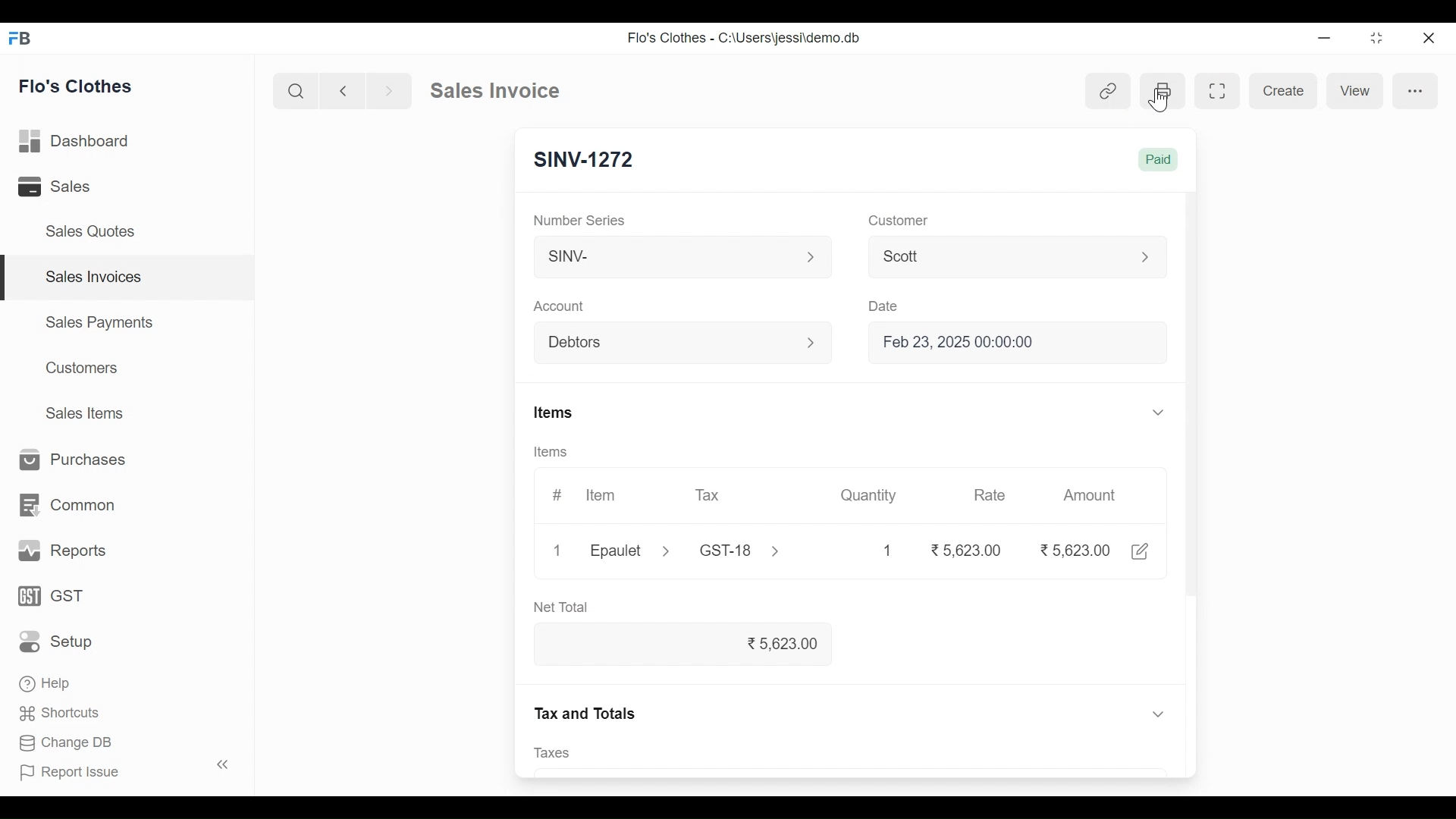 This screenshot has width=1456, height=819. What do you see at coordinates (128, 278) in the screenshot?
I see `Sales Invoices` at bounding box center [128, 278].